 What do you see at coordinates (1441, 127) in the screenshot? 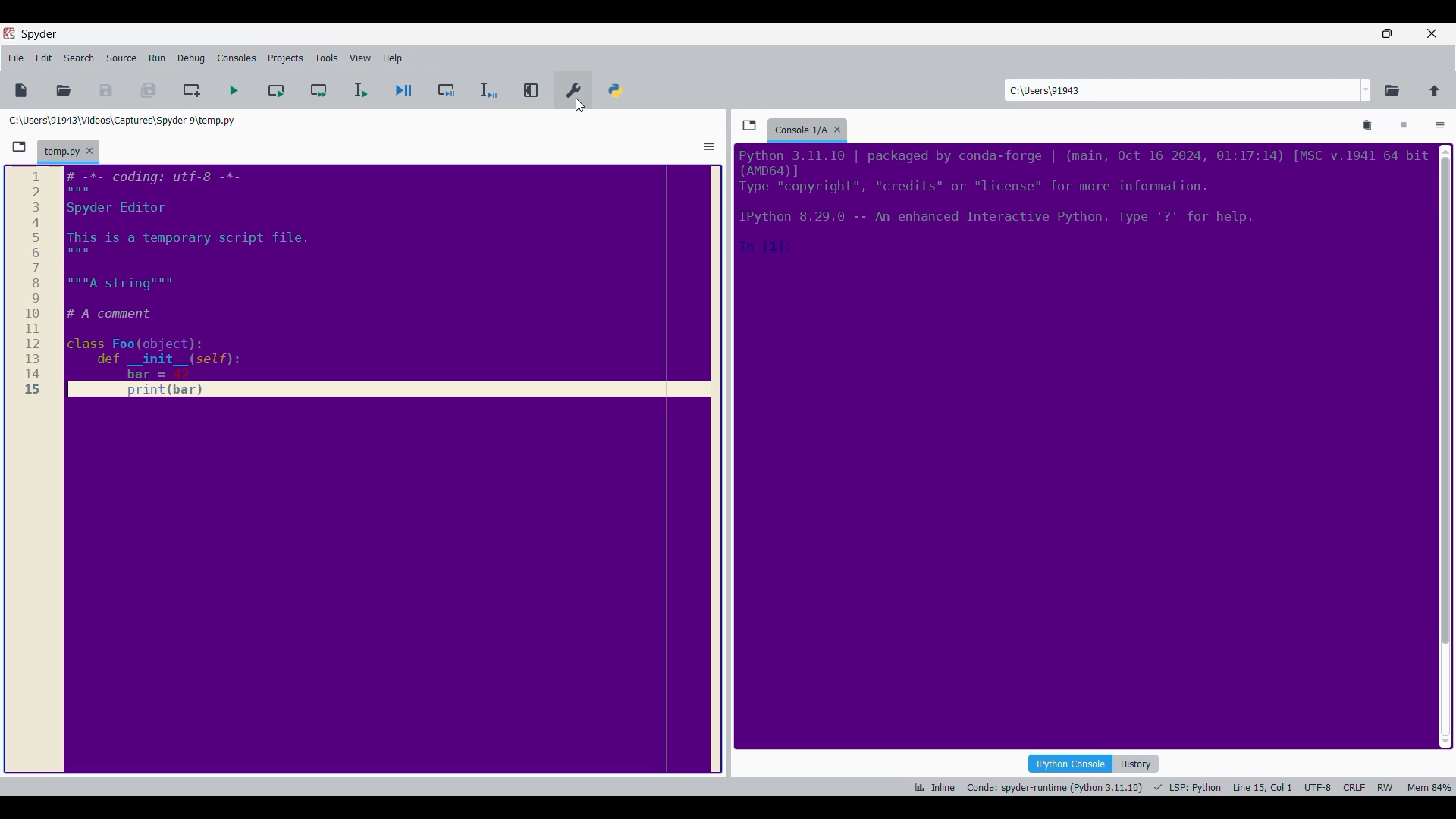
I see `Options` at bounding box center [1441, 127].